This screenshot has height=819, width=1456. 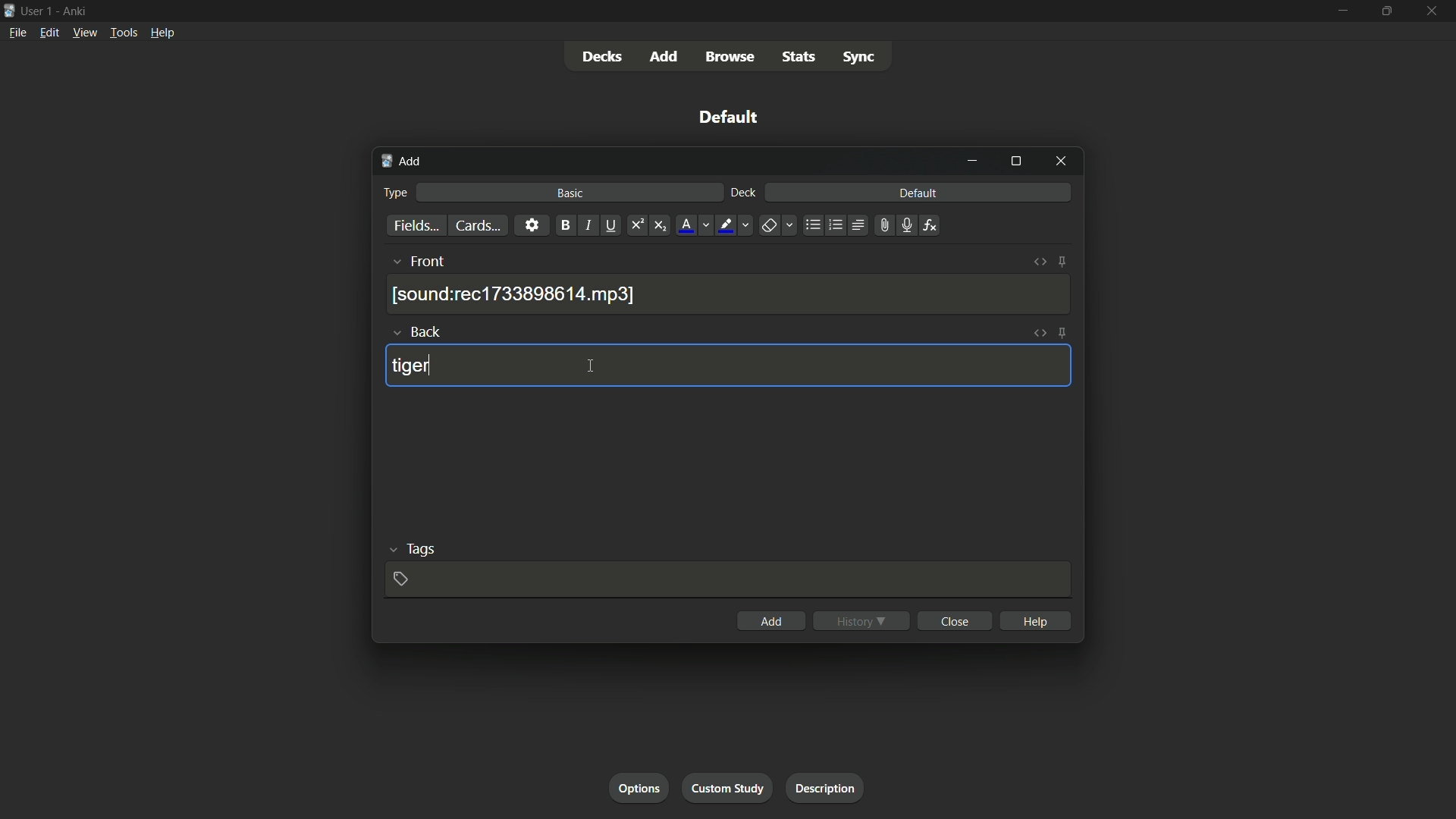 I want to click on add, so click(x=401, y=162).